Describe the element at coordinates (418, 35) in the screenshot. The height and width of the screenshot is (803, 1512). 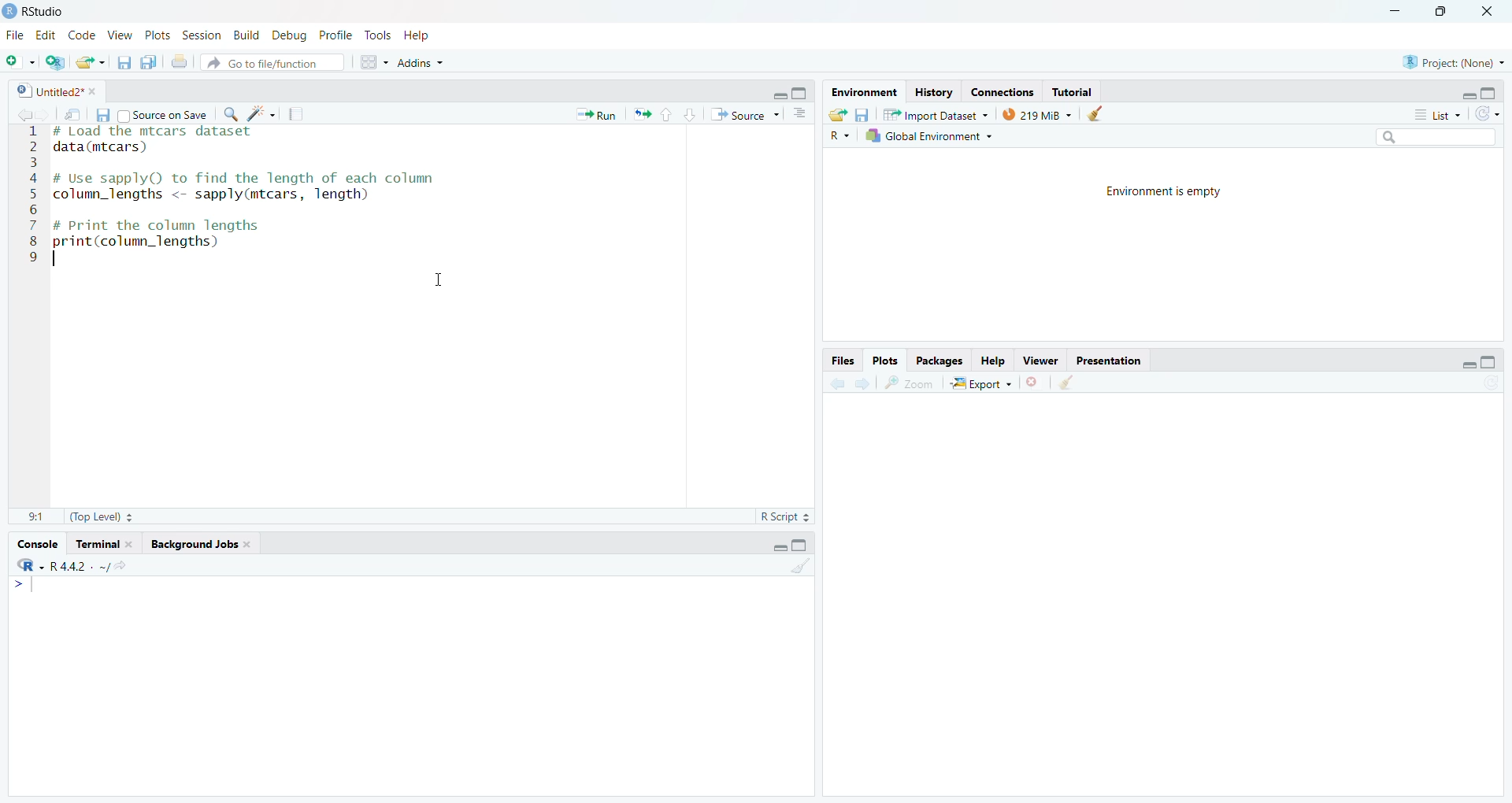
I see `Help` at that location.